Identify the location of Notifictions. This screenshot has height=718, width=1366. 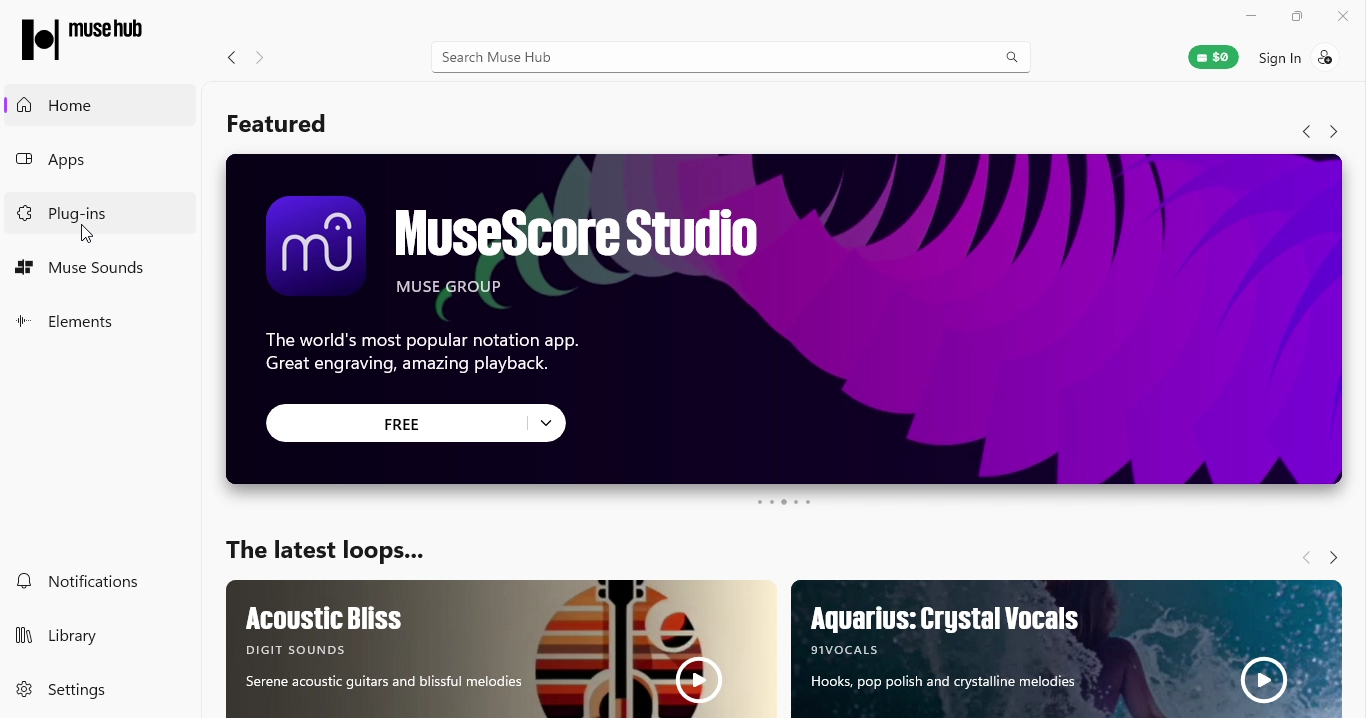
(86, 583).